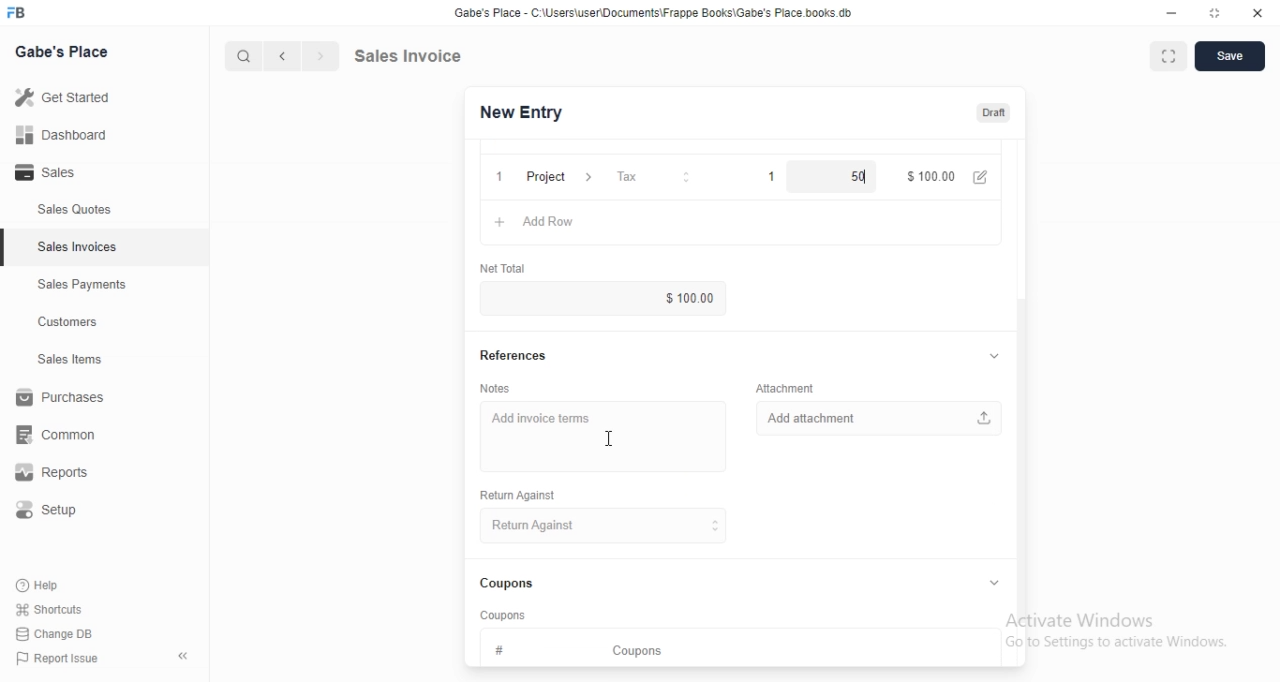  Describe the element at coordinates (555, 222) in the screenshot. I see `Add row` at that location.